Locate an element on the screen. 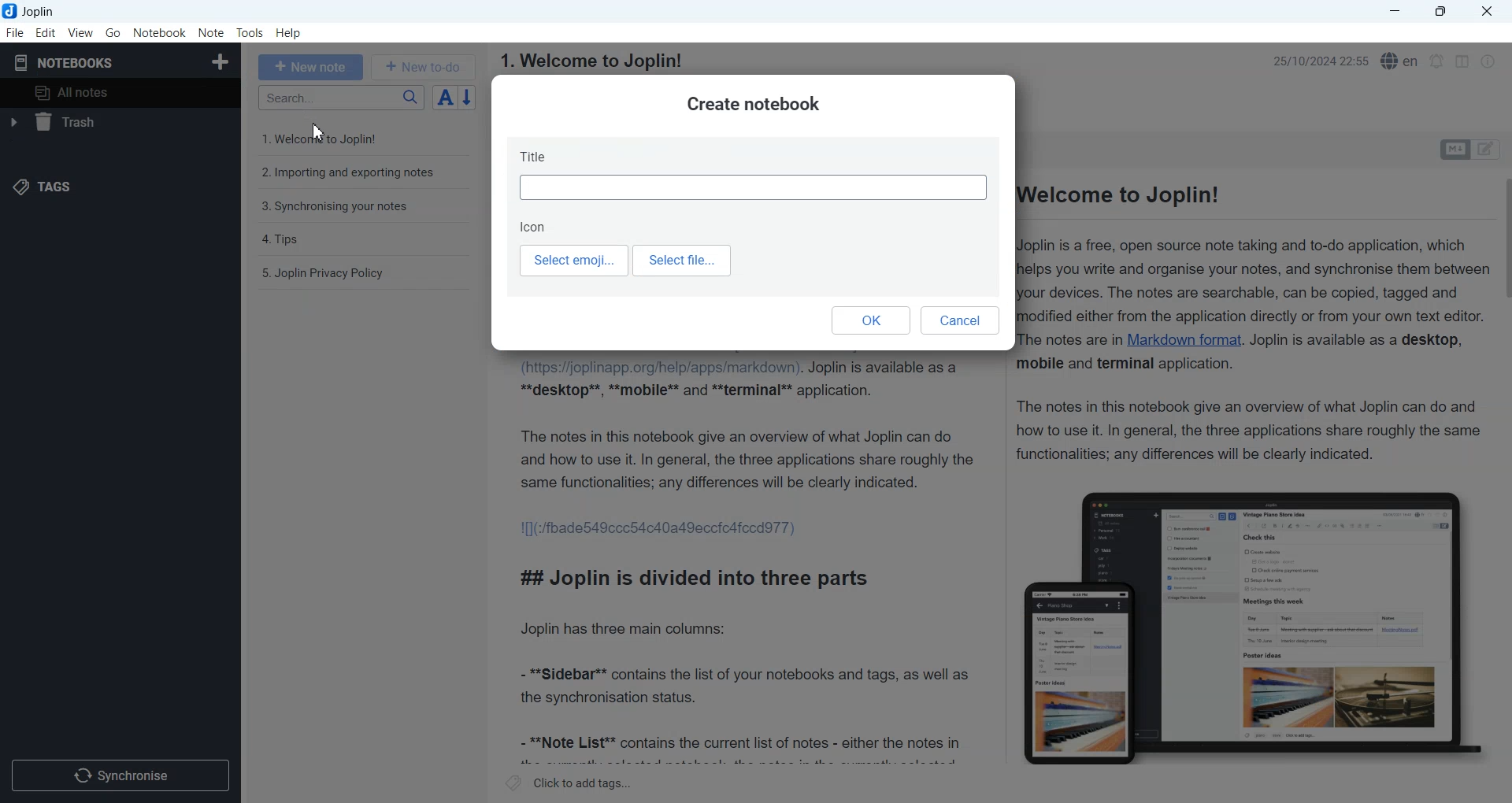 This screenshot has height=803, width=1512. Joplin is located at coordinates (34, 11).